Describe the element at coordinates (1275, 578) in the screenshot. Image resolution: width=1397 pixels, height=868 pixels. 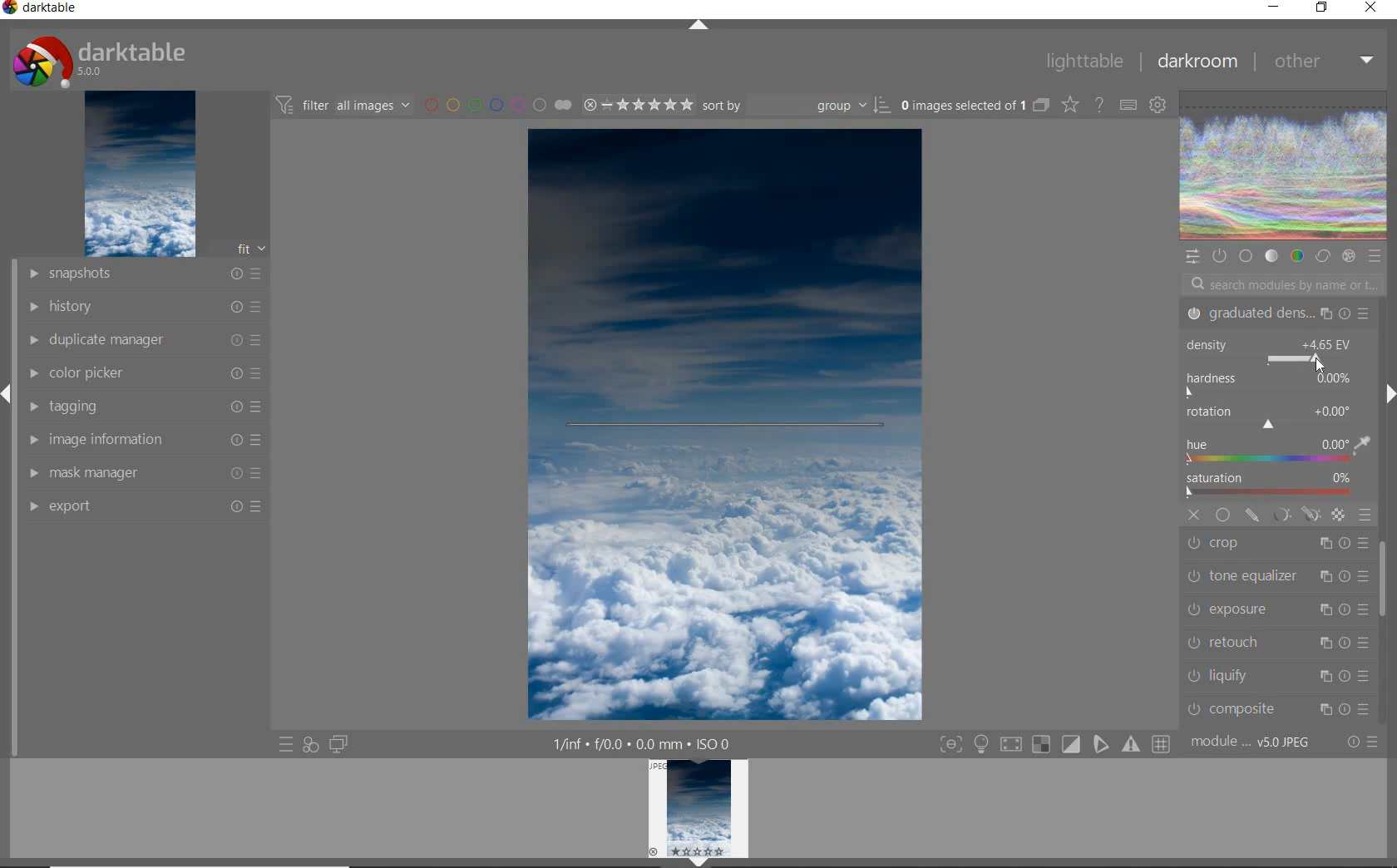
I see `tone equalizer` at that location.